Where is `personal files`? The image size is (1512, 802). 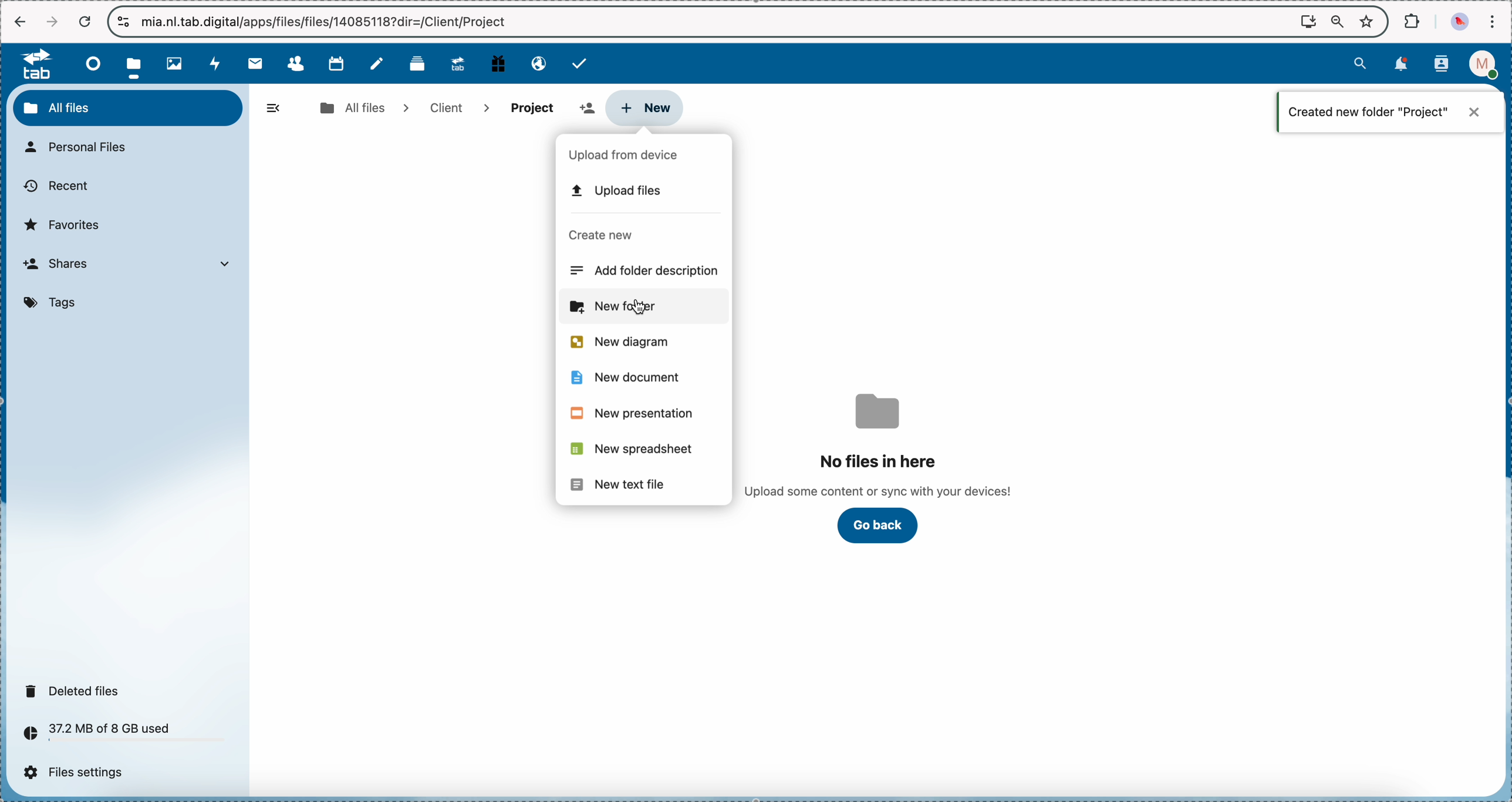
personal files is located at coordinates (82, 148).